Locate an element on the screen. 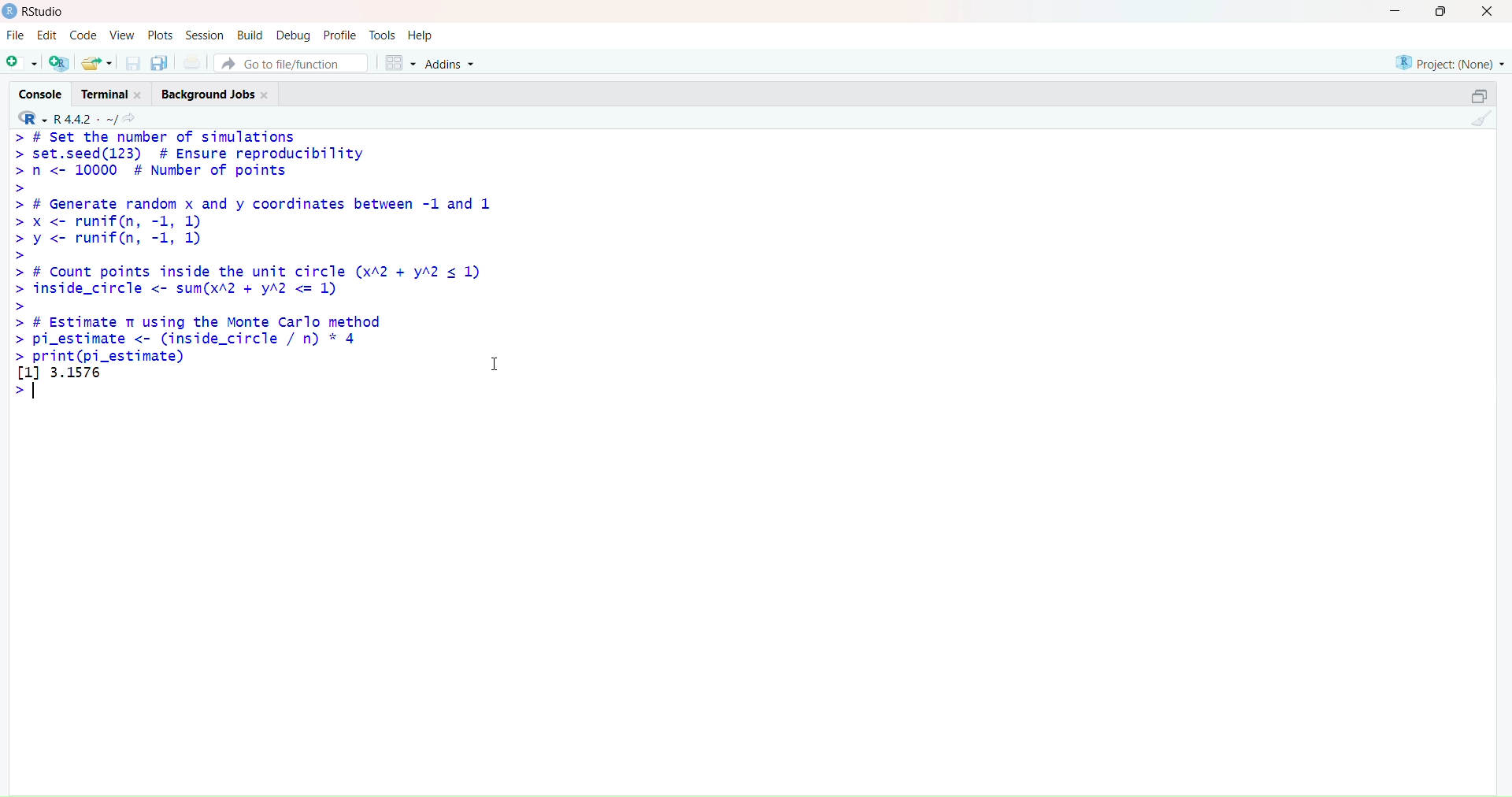 This screenshot has width=1512, height=797. Session is located at coordinates (203, 34).